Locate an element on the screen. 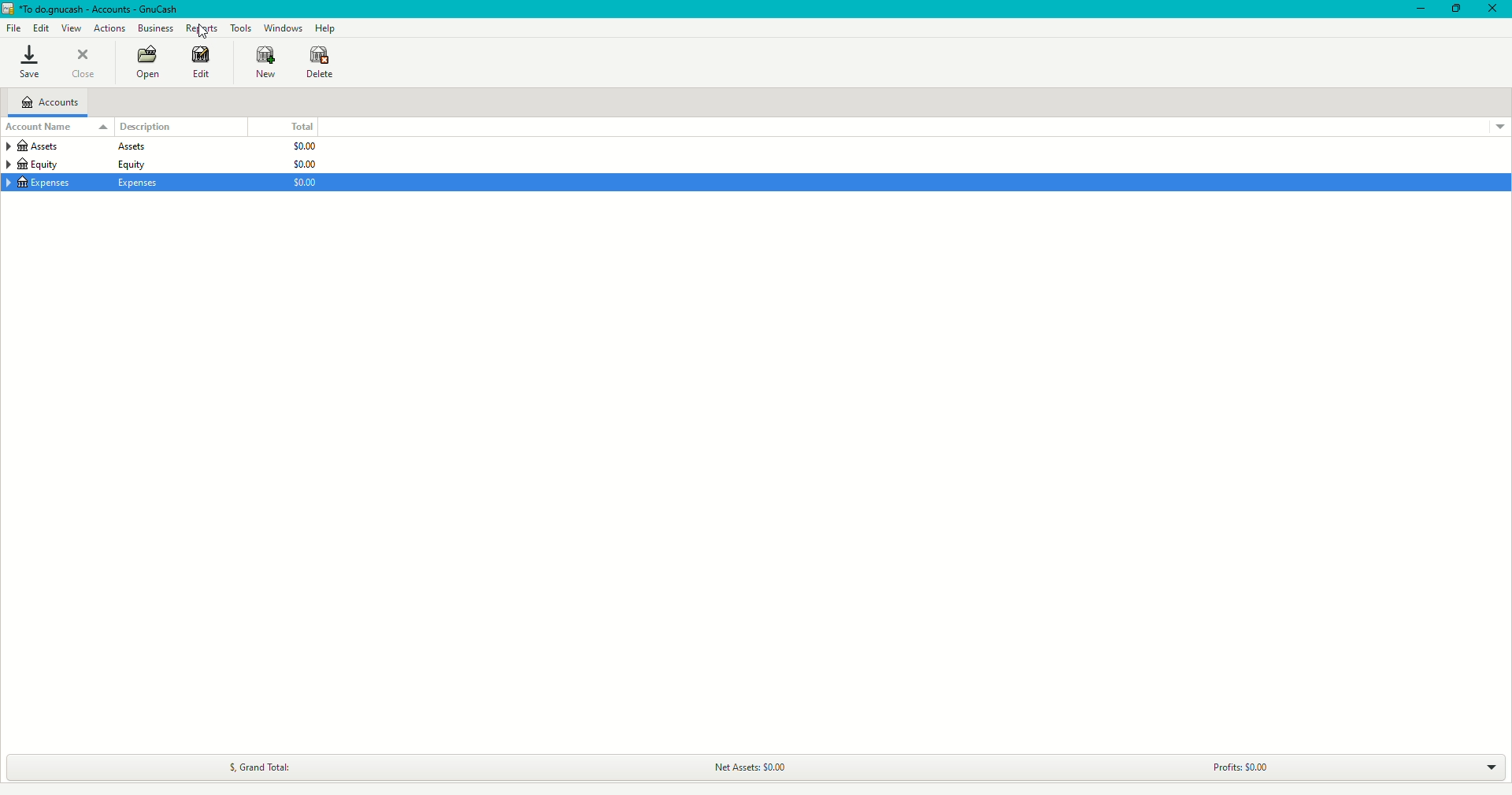 The height and width of the screenshot is (795, 1512). Open is located at coordinates (143, 65).